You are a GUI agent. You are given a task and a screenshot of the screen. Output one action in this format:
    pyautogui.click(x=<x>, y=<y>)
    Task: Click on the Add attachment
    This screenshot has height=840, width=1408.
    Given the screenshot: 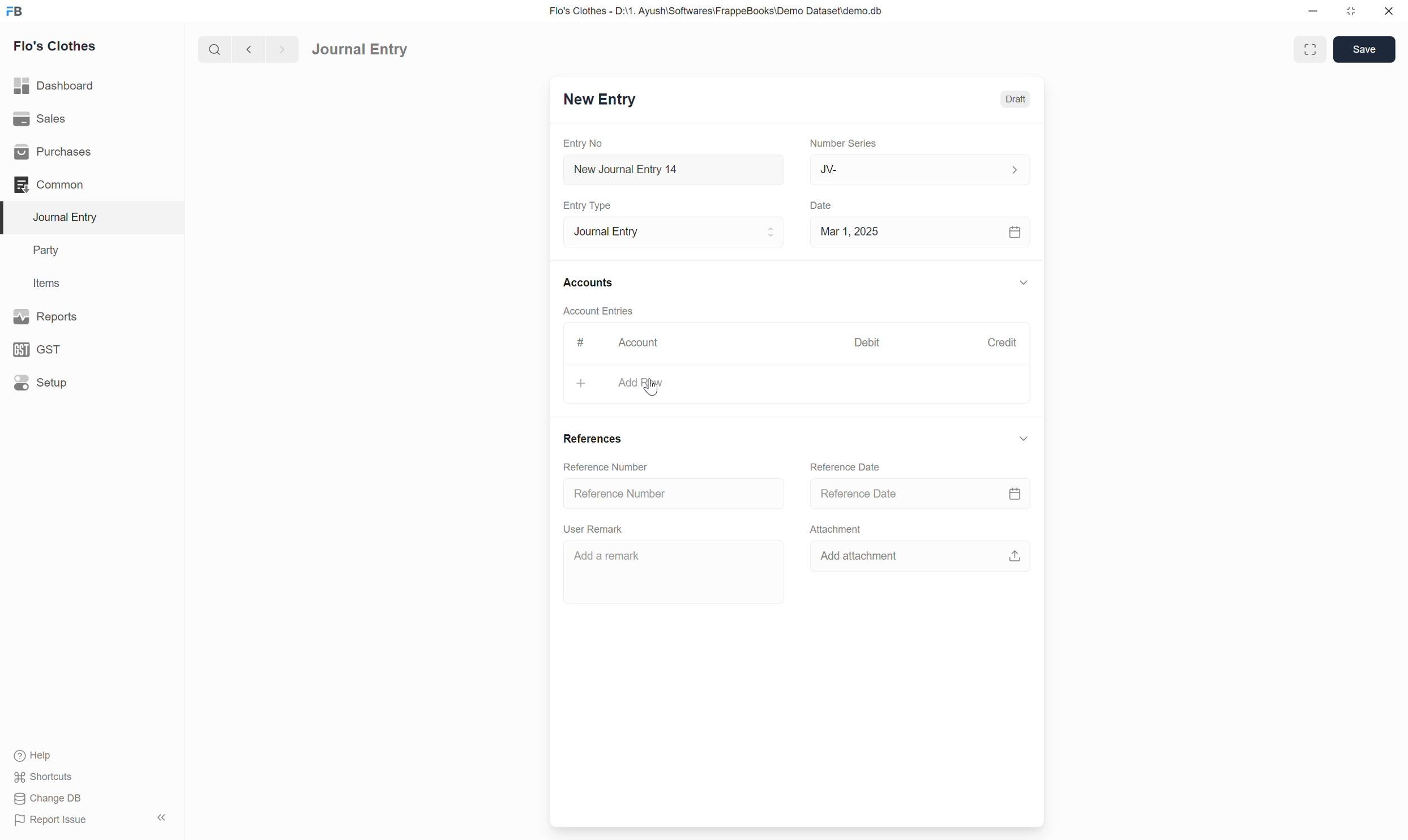 What is the action you would take?
    pyautogui.click(x=868, y=556)
    